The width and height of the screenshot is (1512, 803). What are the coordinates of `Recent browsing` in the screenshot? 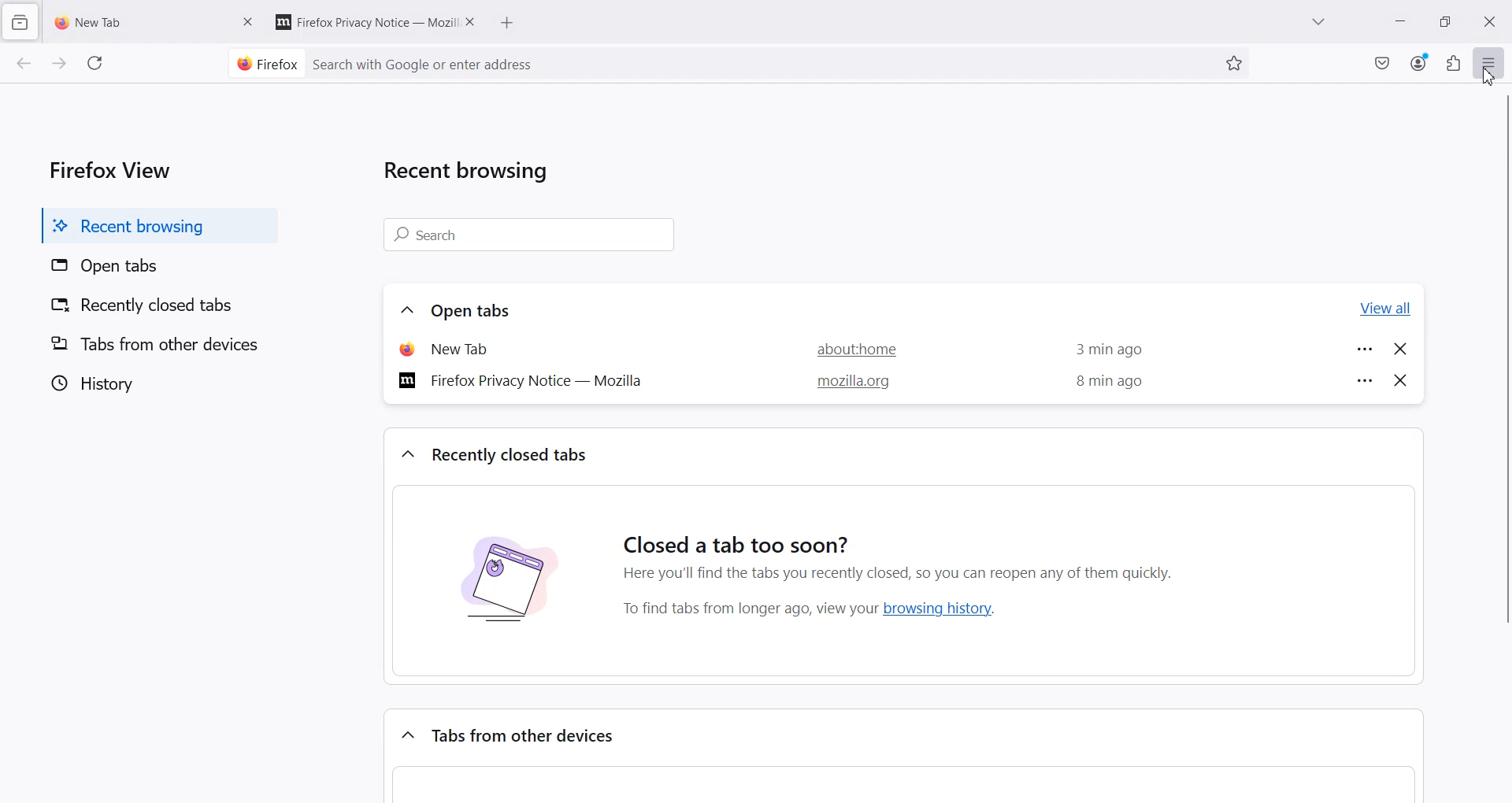 It's located at (154, 225).